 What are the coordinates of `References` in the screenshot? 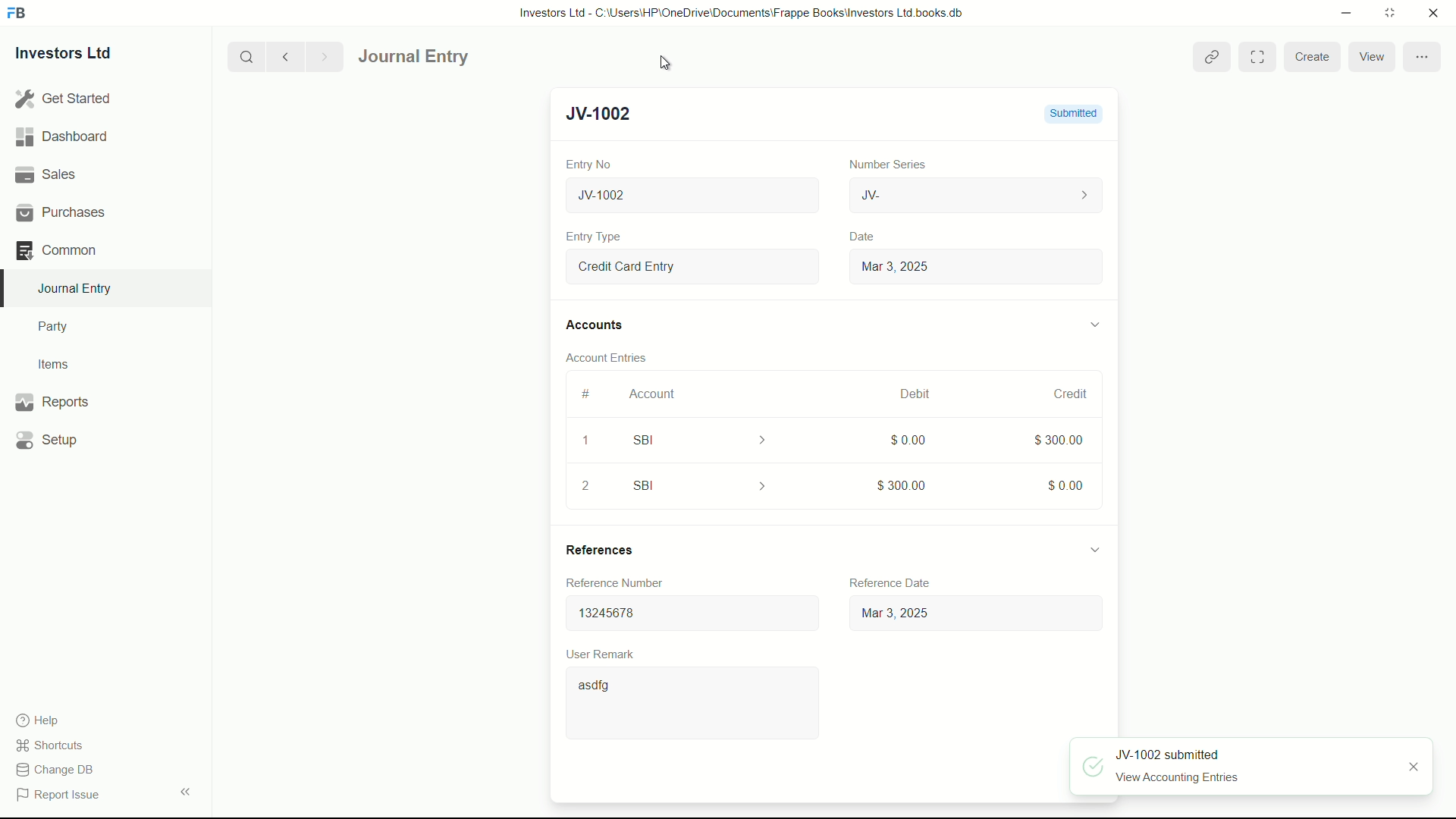 It's located at (611, 548).